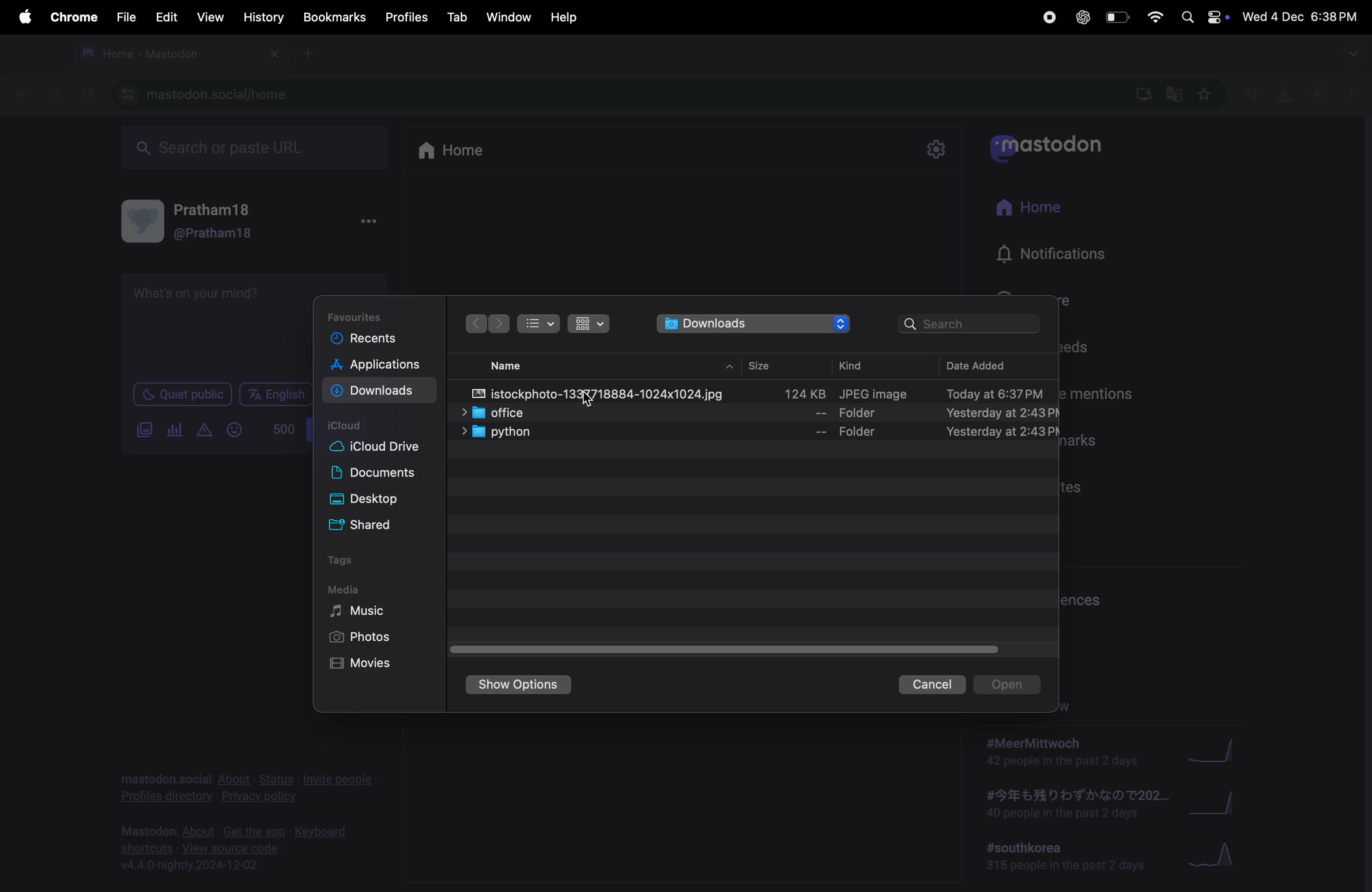  Describe the element at coordinates (275, 394) in the screenshot. I see `English` at that location.